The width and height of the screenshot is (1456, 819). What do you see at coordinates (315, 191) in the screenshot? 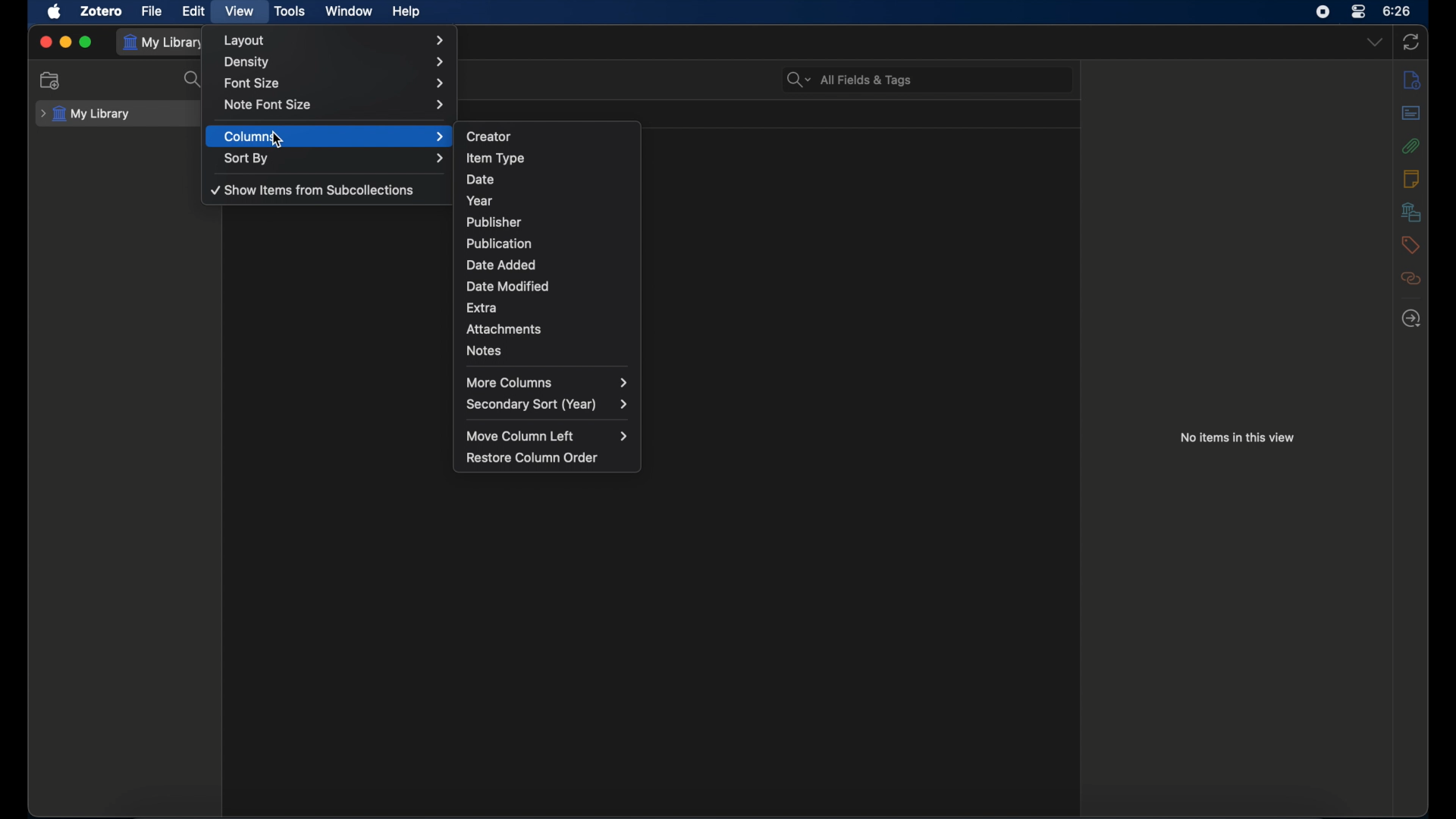
I see `show items from sub collections` at bounding box center [315, 191].